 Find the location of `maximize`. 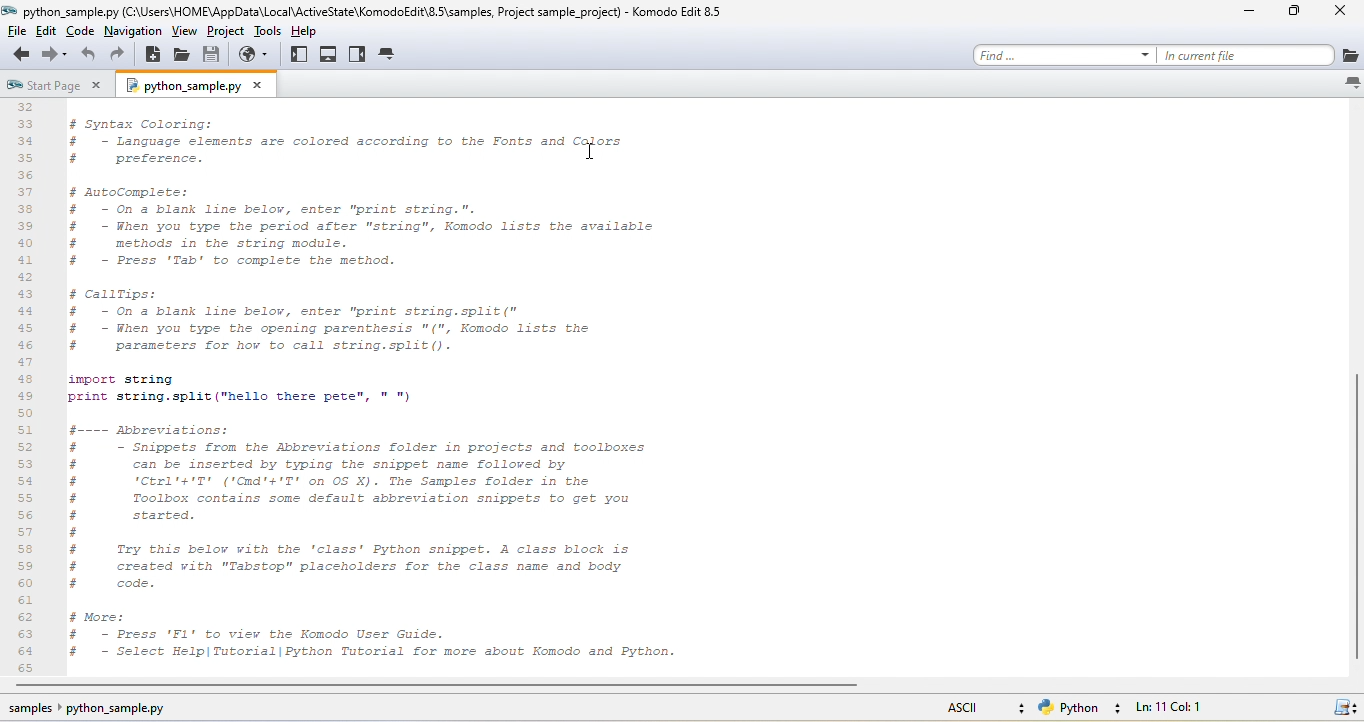

maximize is located at coordinates (1293, 14).